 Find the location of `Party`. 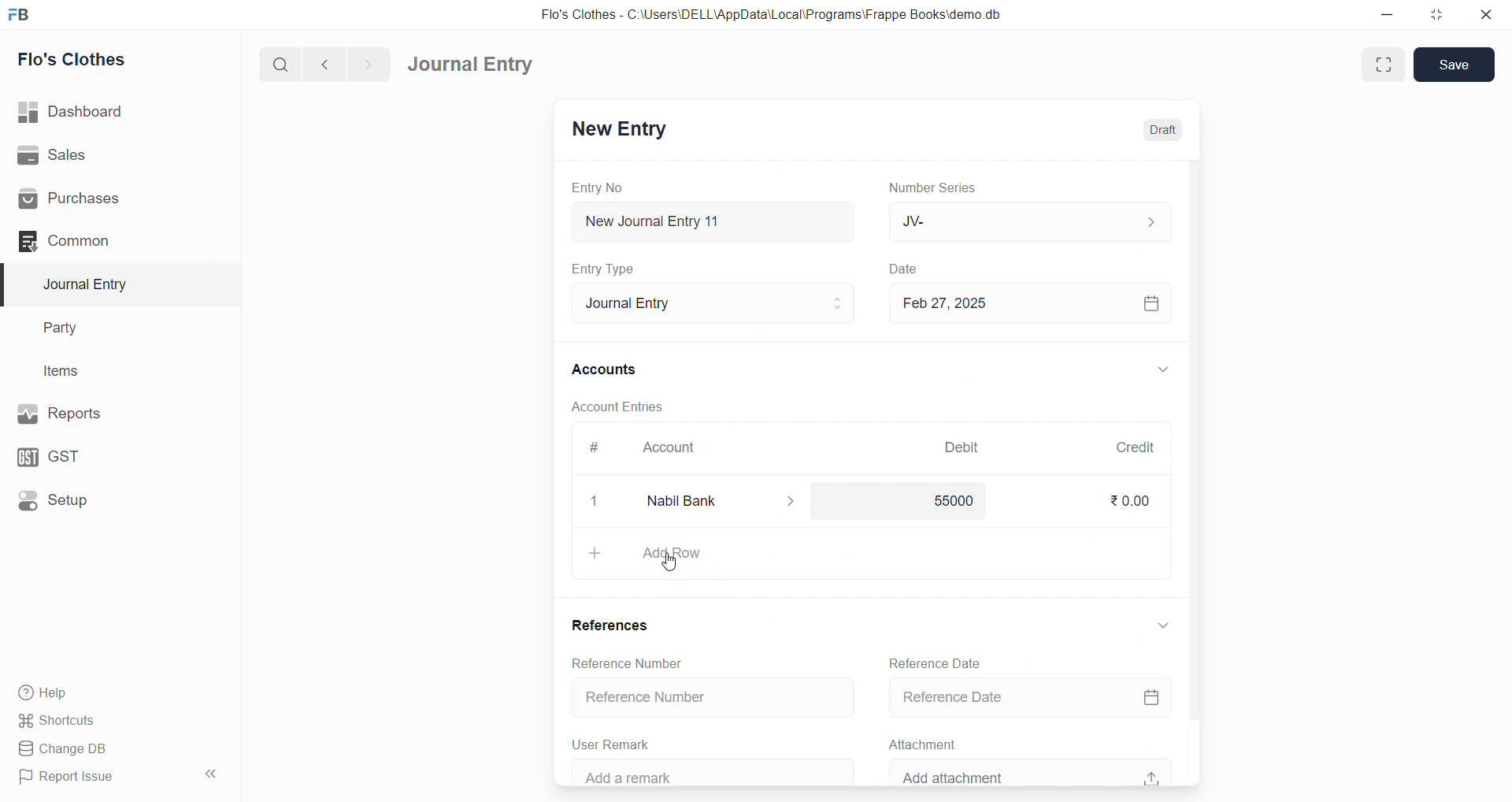

Party is located at coordinates (70, 326).